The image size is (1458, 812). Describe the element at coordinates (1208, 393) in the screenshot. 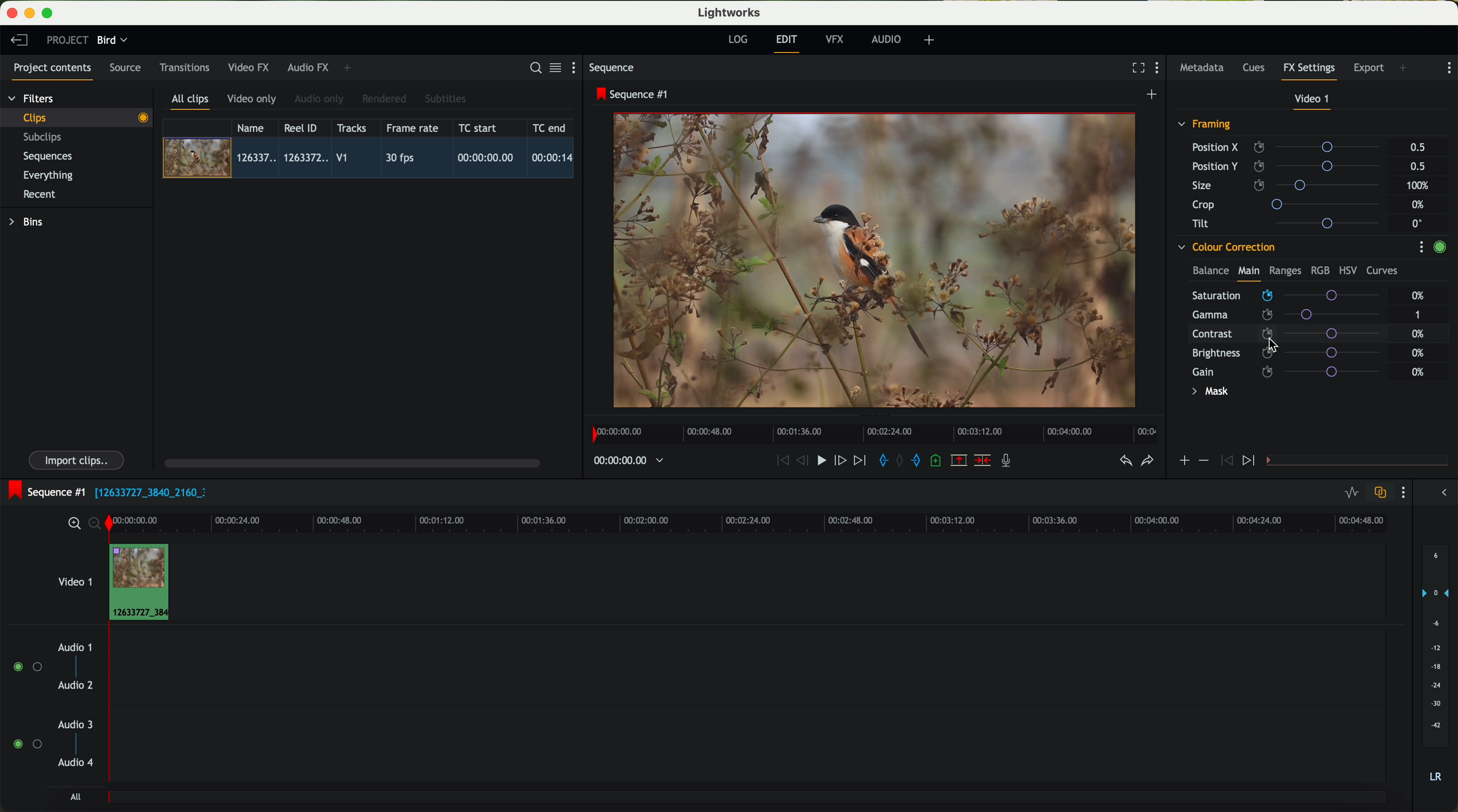

I see `mask` at that location.